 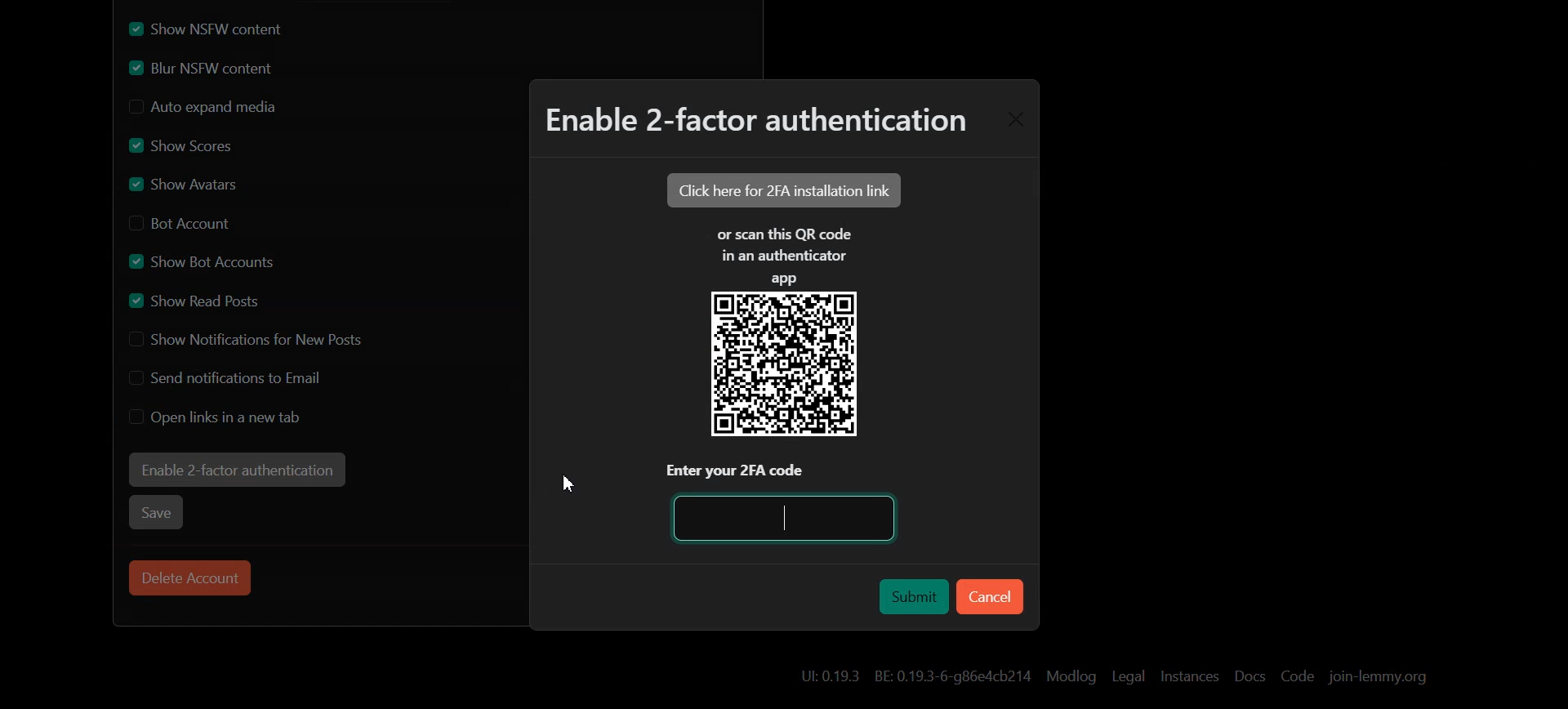 What do you see at coordinates (1190, 676) in the screenshot?
I see `Instances` at bounding box center [1190, 676].